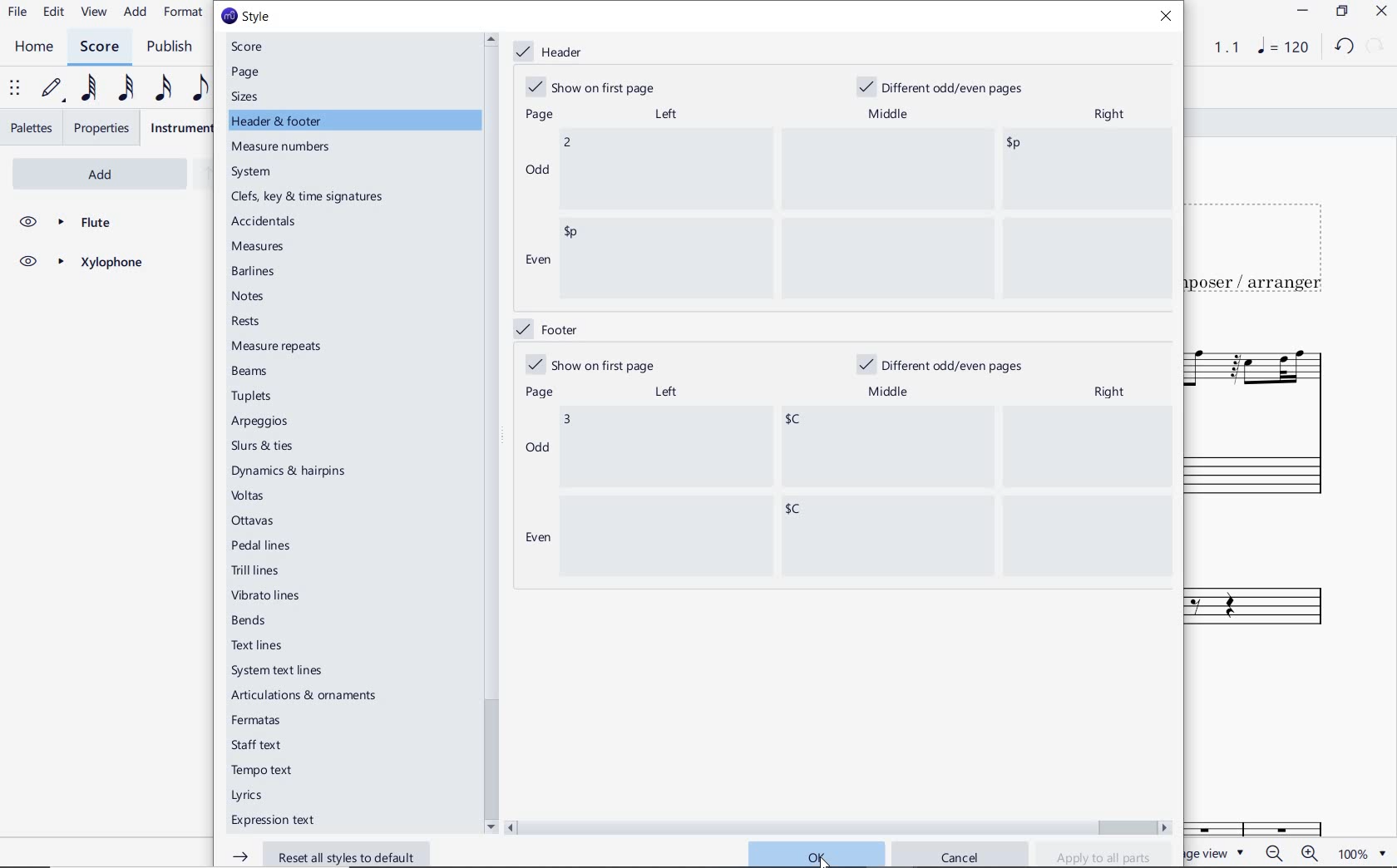  Describe the element at coordinates (78, 172) in the screenshot. I see `ADD` at that location.